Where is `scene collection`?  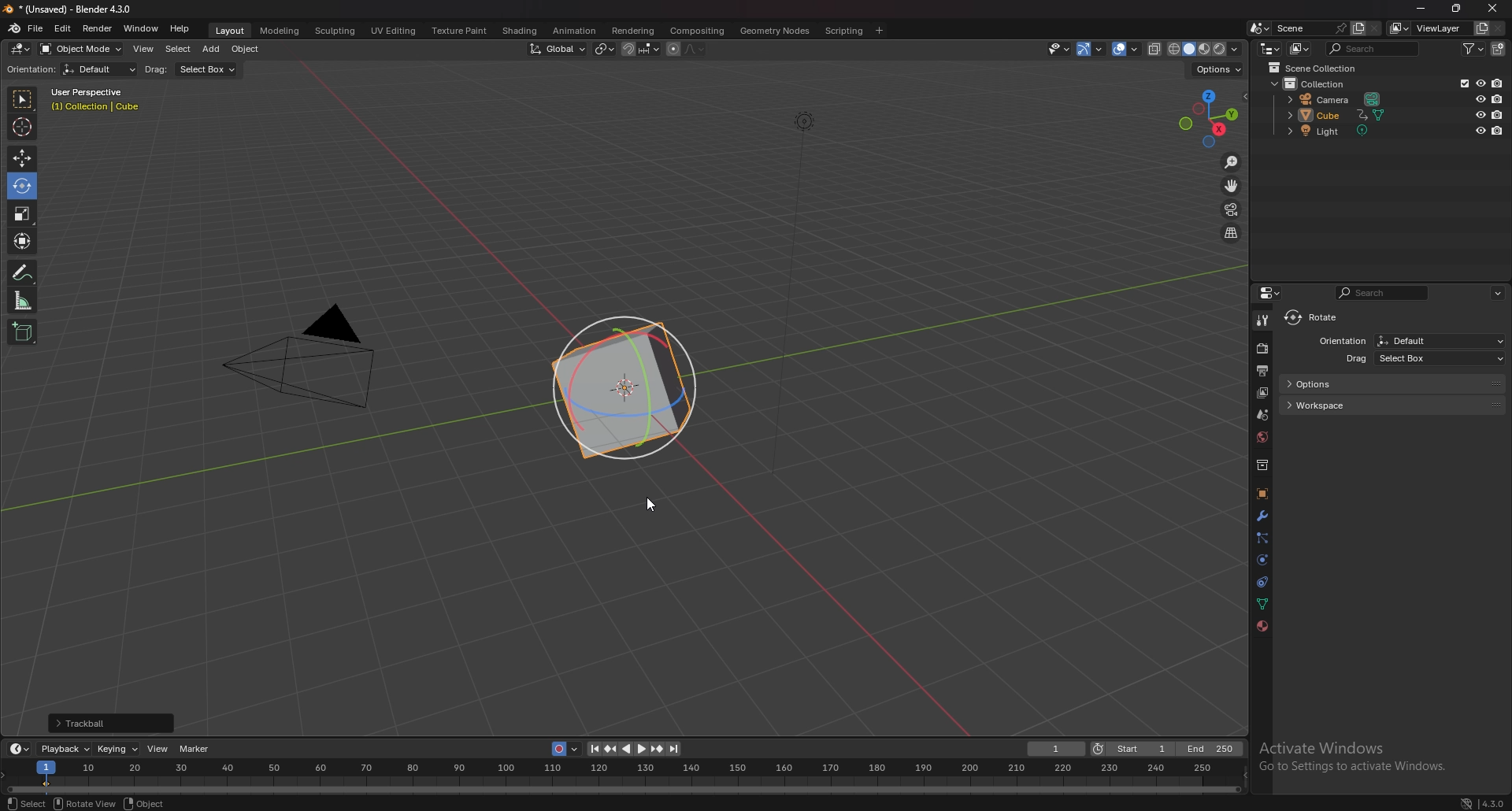 scene collection is located at coordinates (1317, 68).